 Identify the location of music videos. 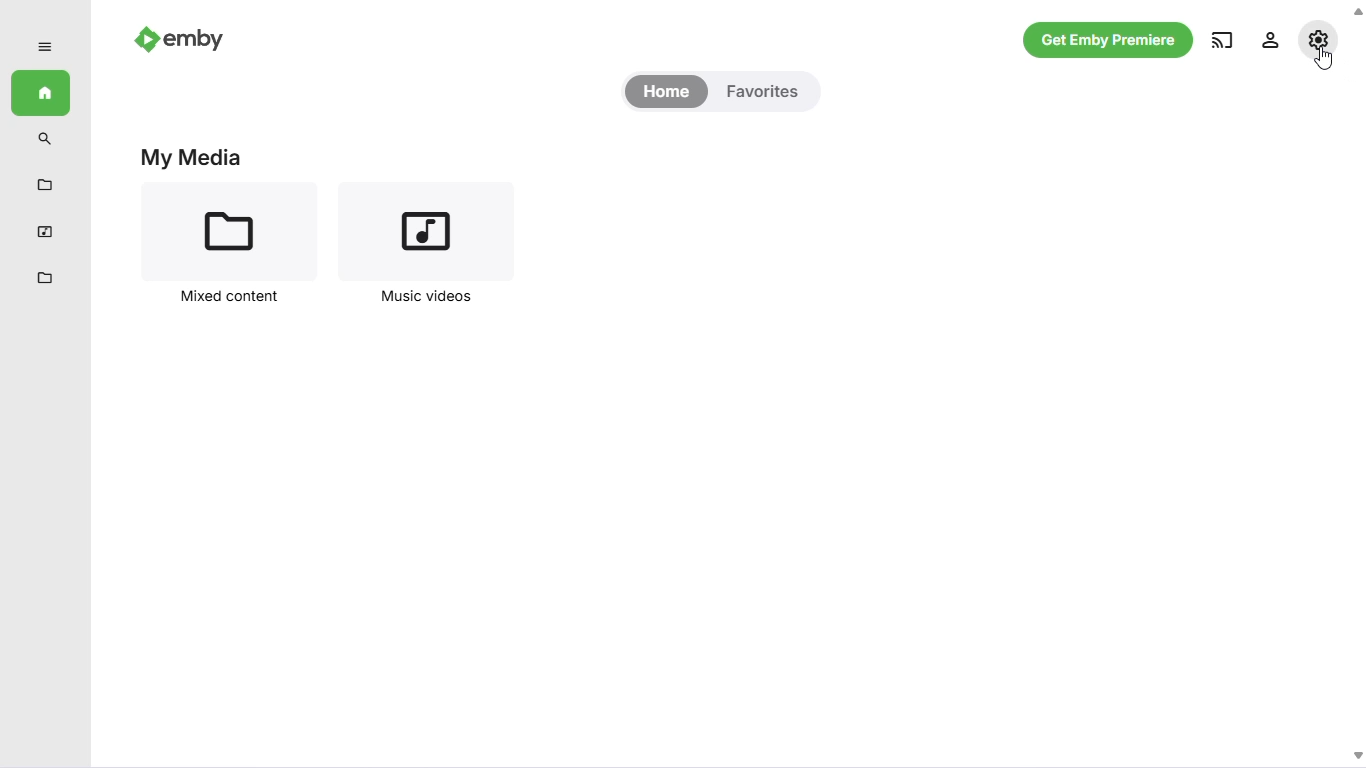
(427, 245).